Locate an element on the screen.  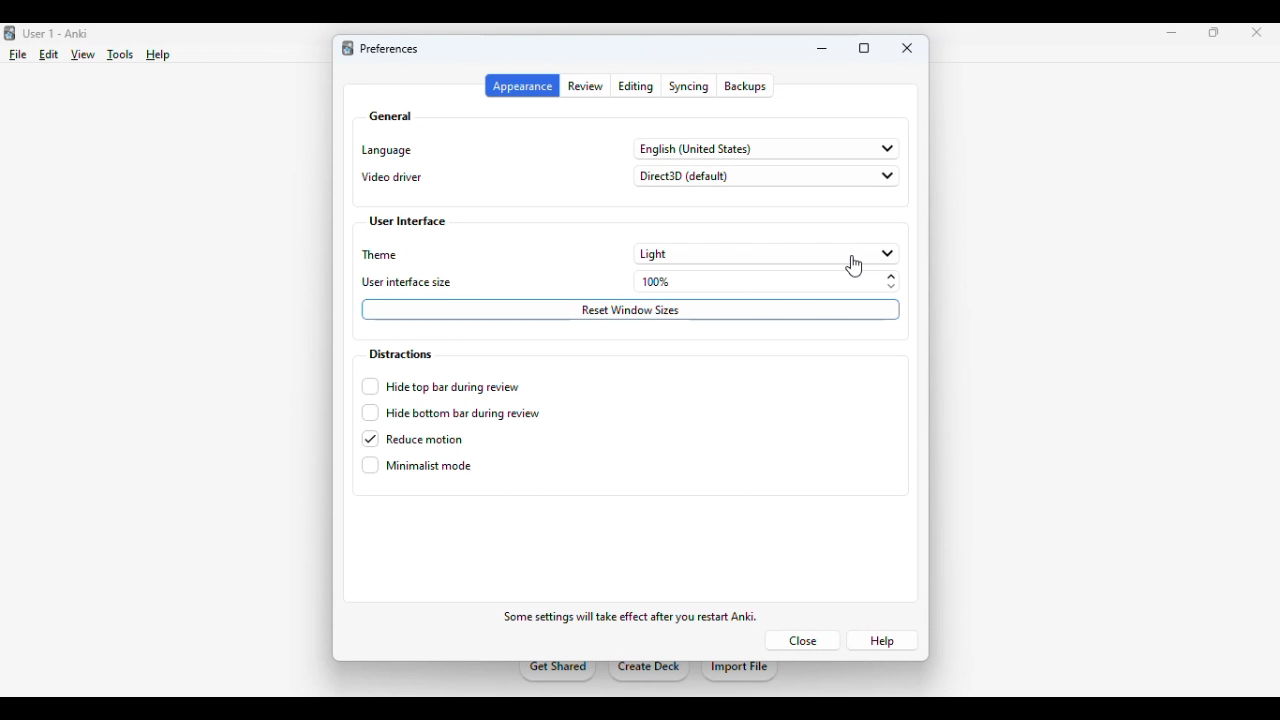
maximize is located at coordinates (864, 49).